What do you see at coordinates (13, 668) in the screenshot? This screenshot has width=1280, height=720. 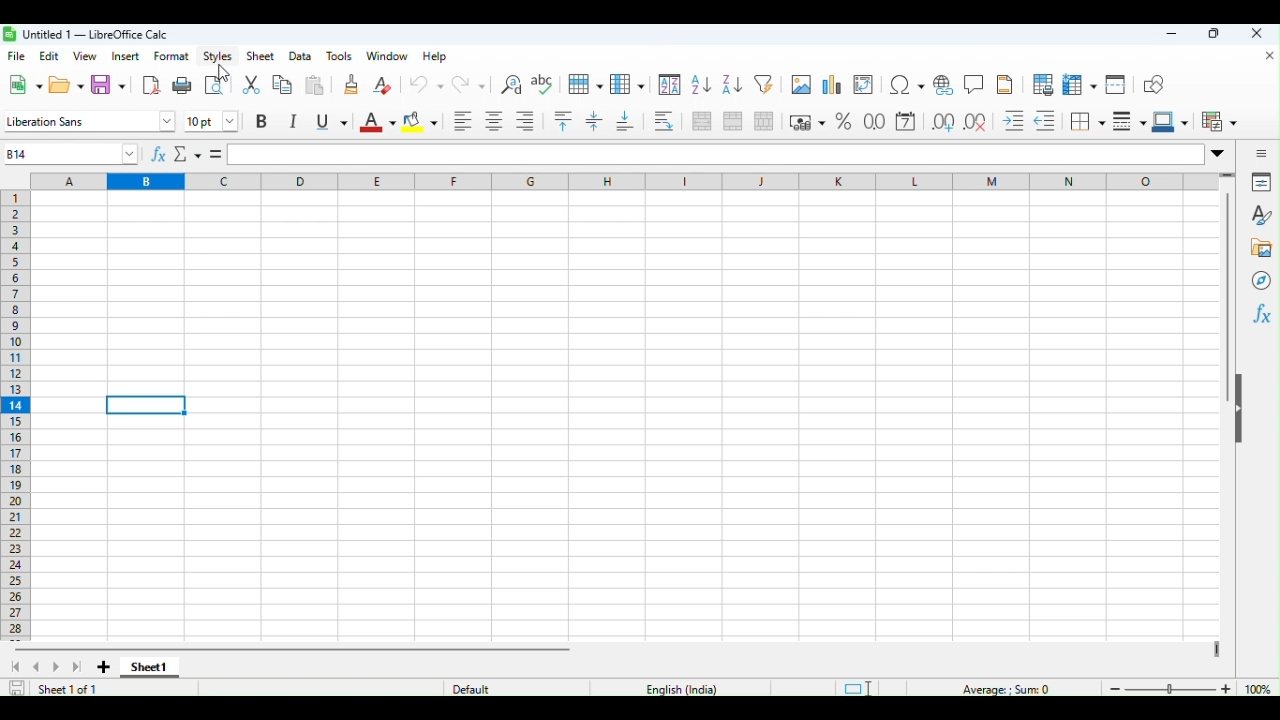 I see `previous slide` at bounding box center [13, 668].